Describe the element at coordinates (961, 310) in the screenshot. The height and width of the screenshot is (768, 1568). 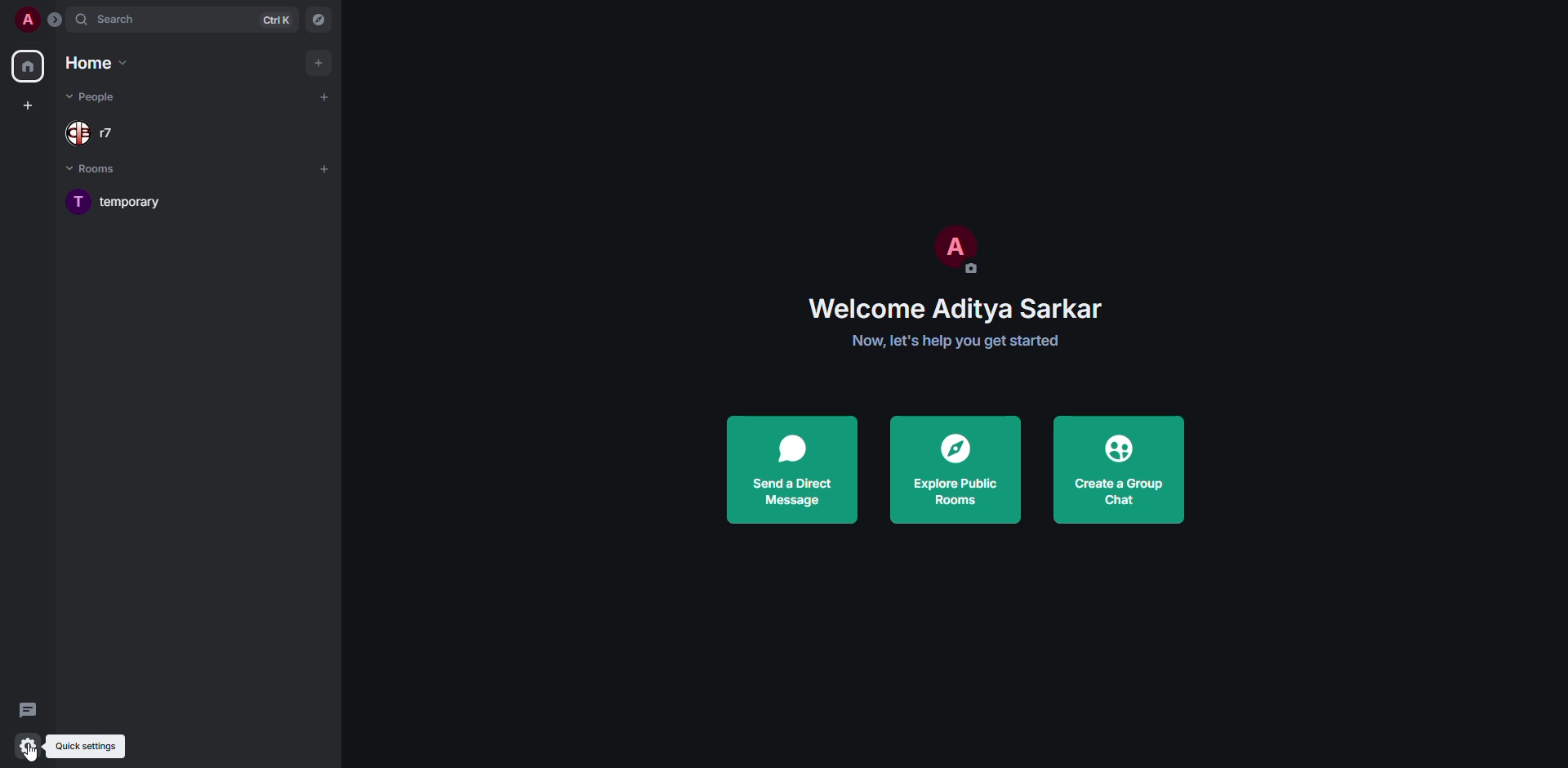
I see `welcome` at that location.